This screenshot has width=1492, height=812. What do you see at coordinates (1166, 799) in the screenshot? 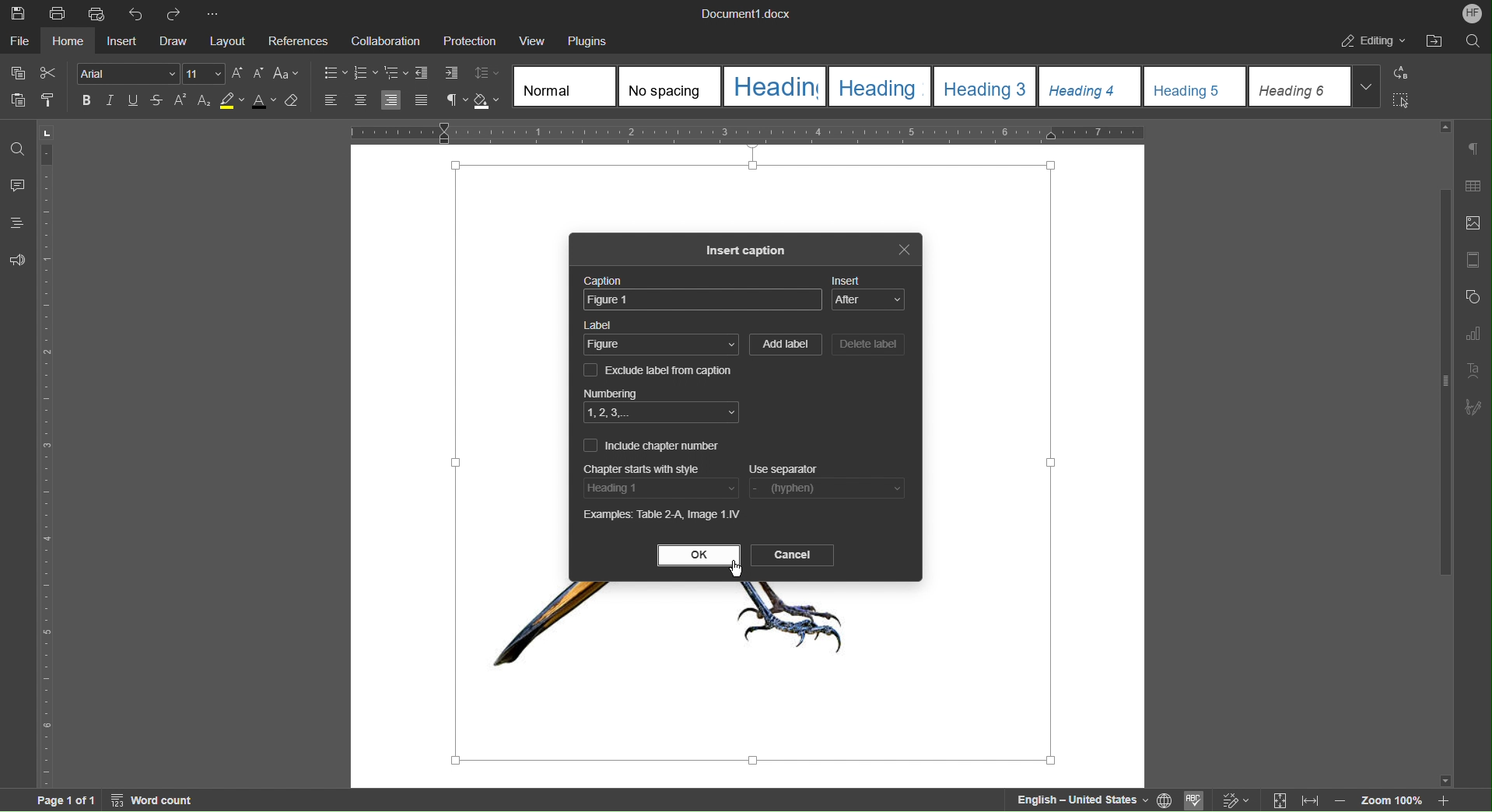
I see `Set Document Language` at bounding box center [1166, 799].